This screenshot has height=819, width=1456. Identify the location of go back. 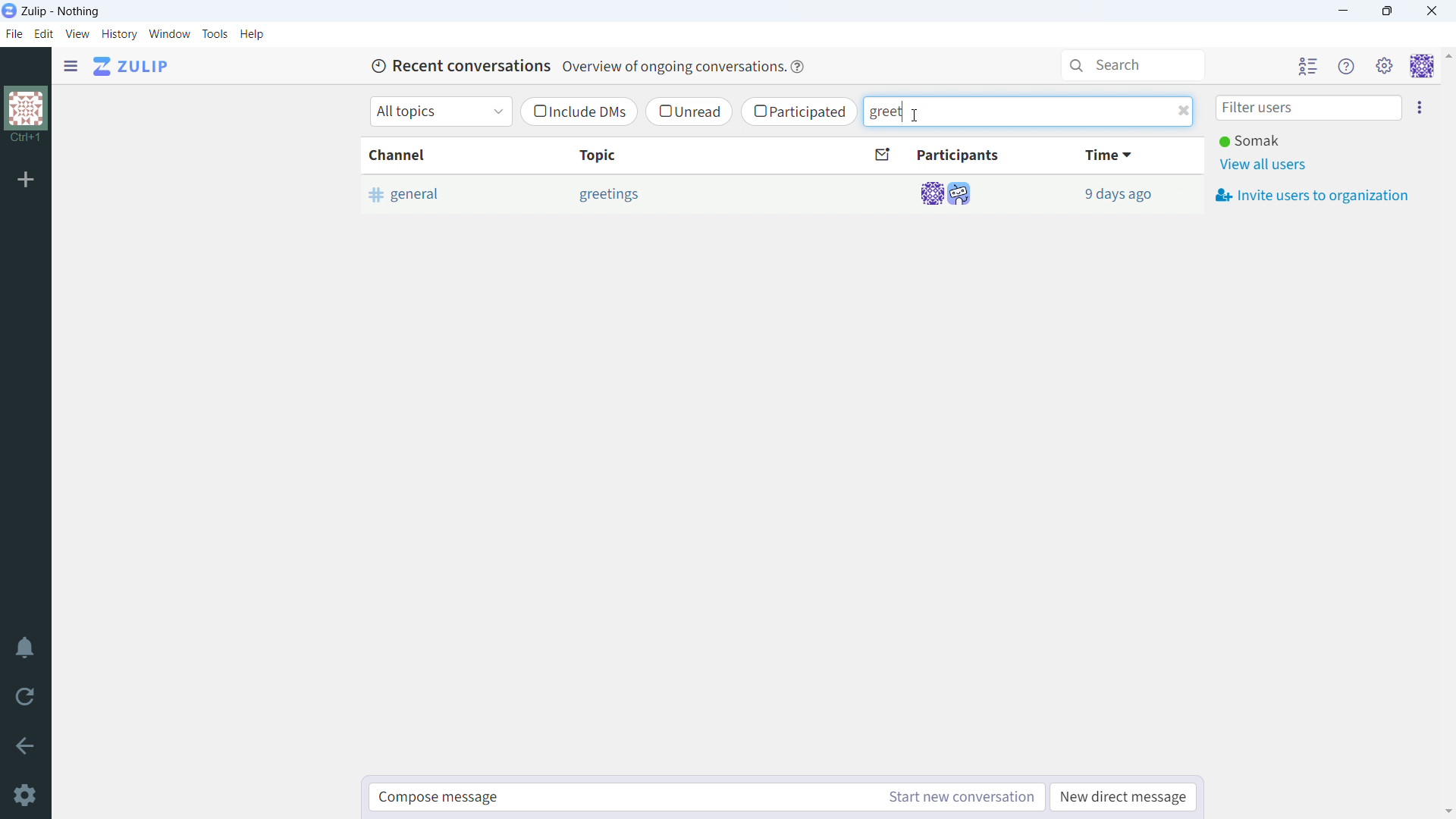
(26, 746).